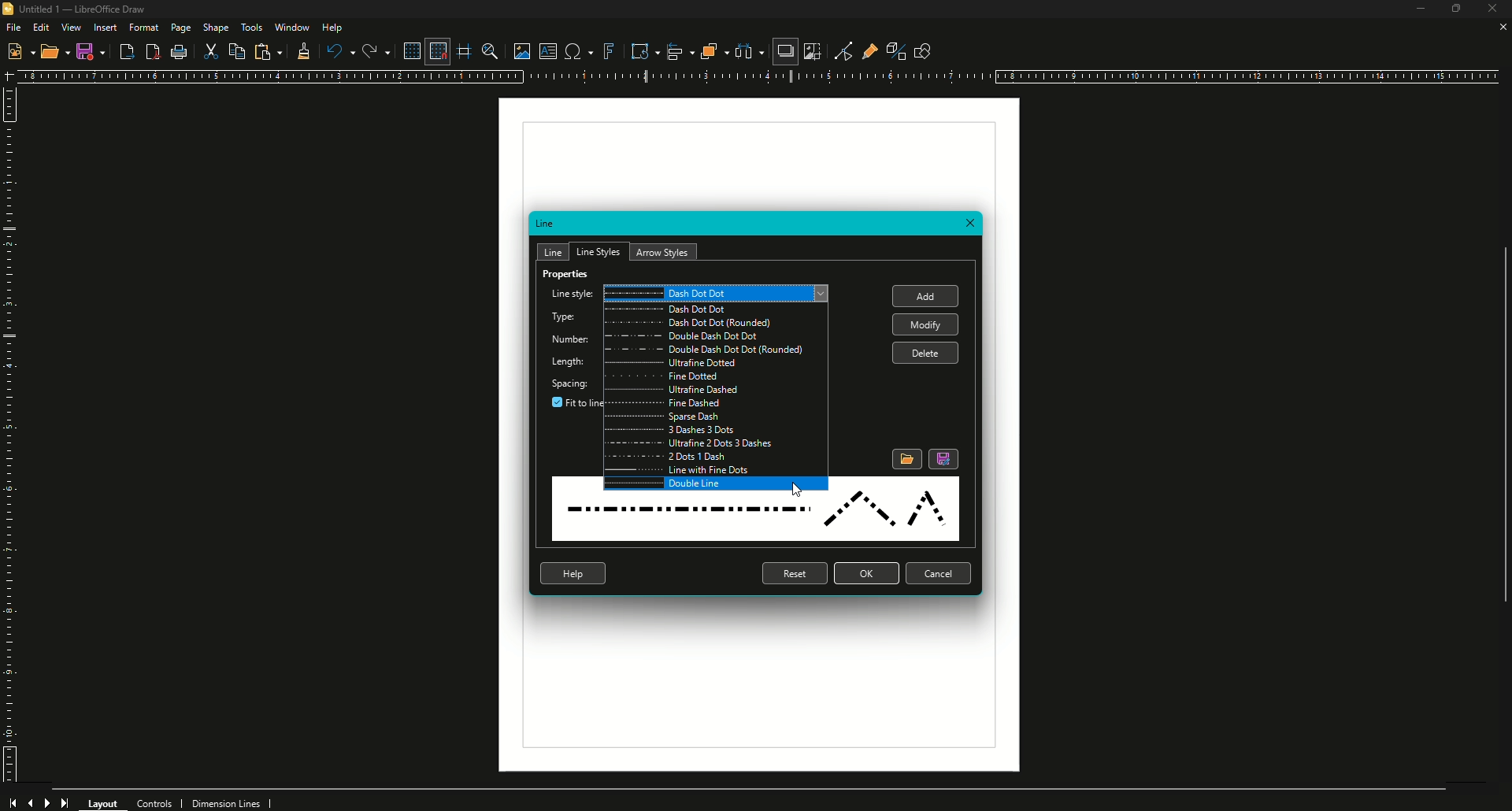 Image resolution: width=1512 pixels, height=811 pixels. I want to click on Cancel, so click(941, 575).